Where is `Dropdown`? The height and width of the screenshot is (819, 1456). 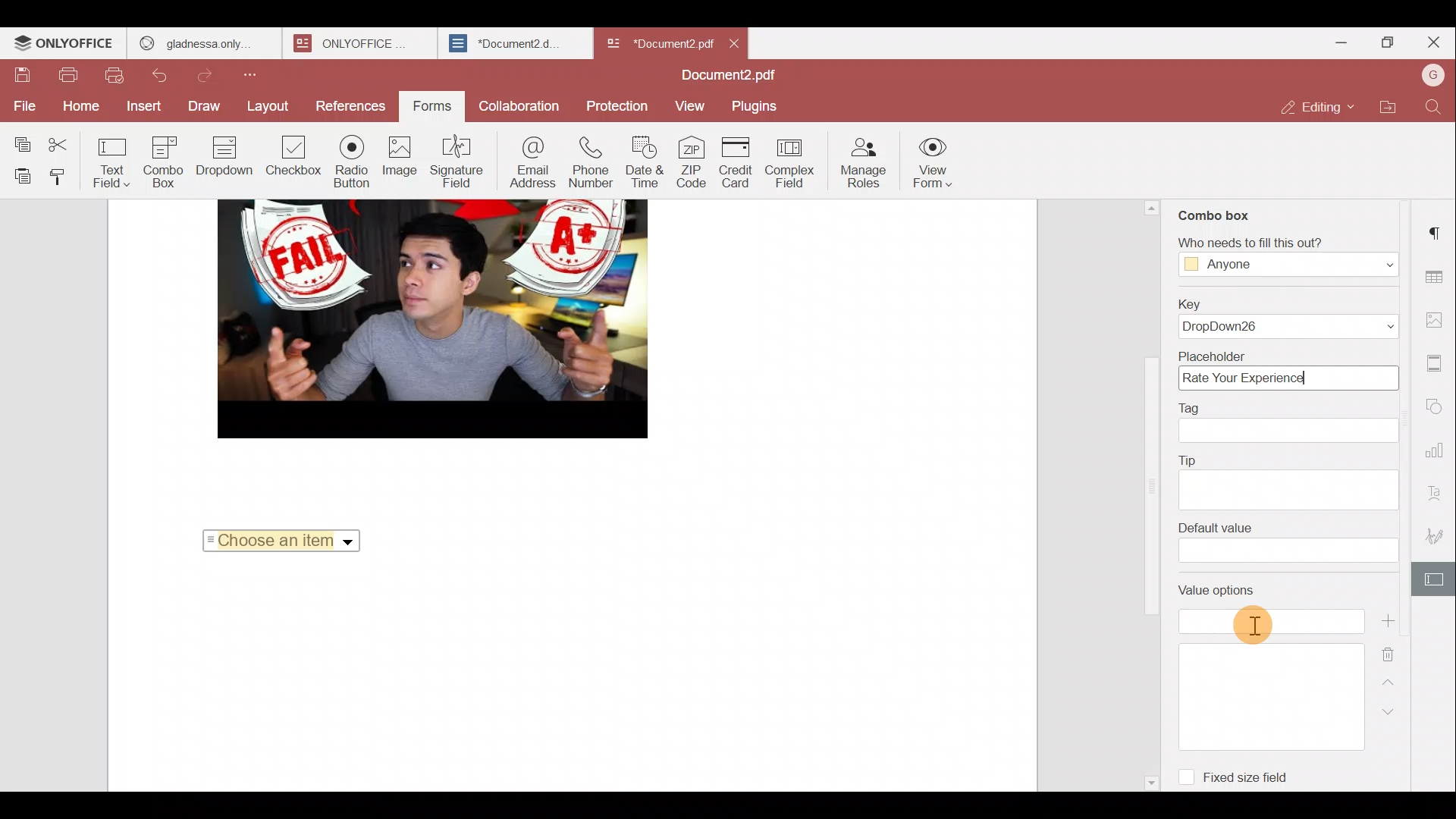 Dropdown is located at coordinates (227, 156).